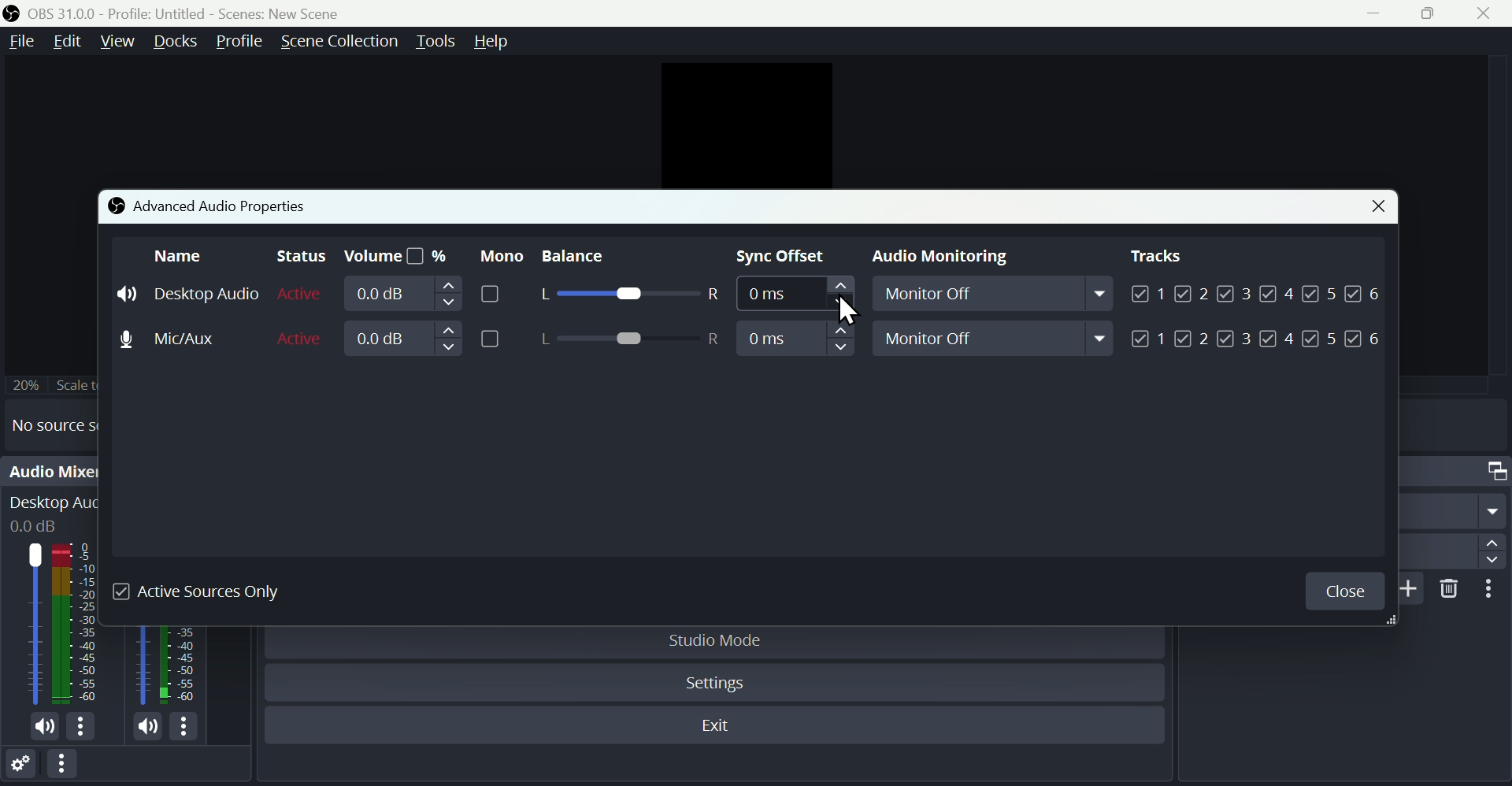 The image size is (1512, 786). What do you see at coordinates (1146, 292) in the screenshot?
I see `(un)check Track 1` at bounding box center [1146, 292].